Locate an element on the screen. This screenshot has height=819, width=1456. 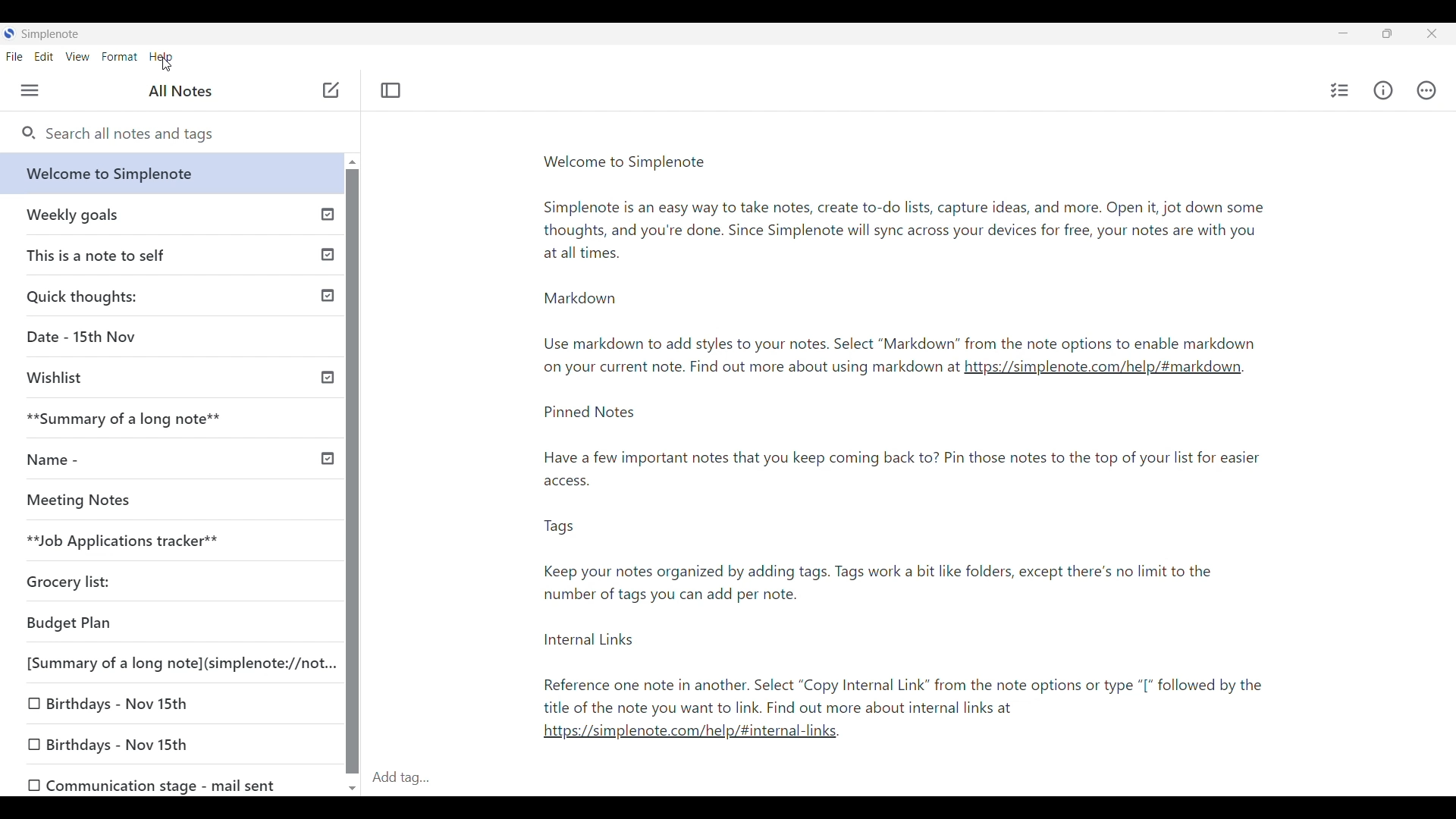
Name - is located at coordinates (147, 456).